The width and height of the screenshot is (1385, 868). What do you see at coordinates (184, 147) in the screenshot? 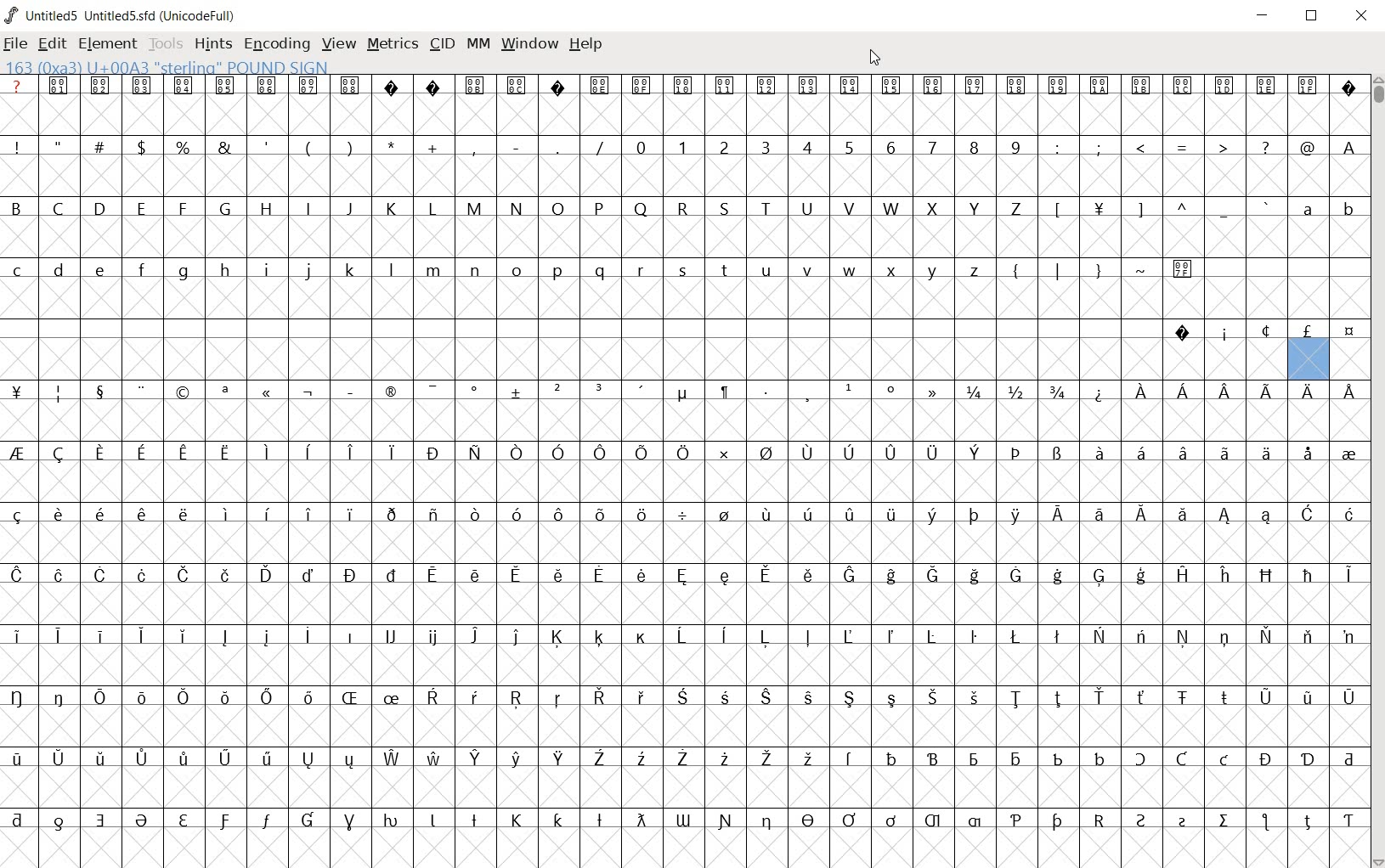
I see `%` at bounding box center [184, 147].